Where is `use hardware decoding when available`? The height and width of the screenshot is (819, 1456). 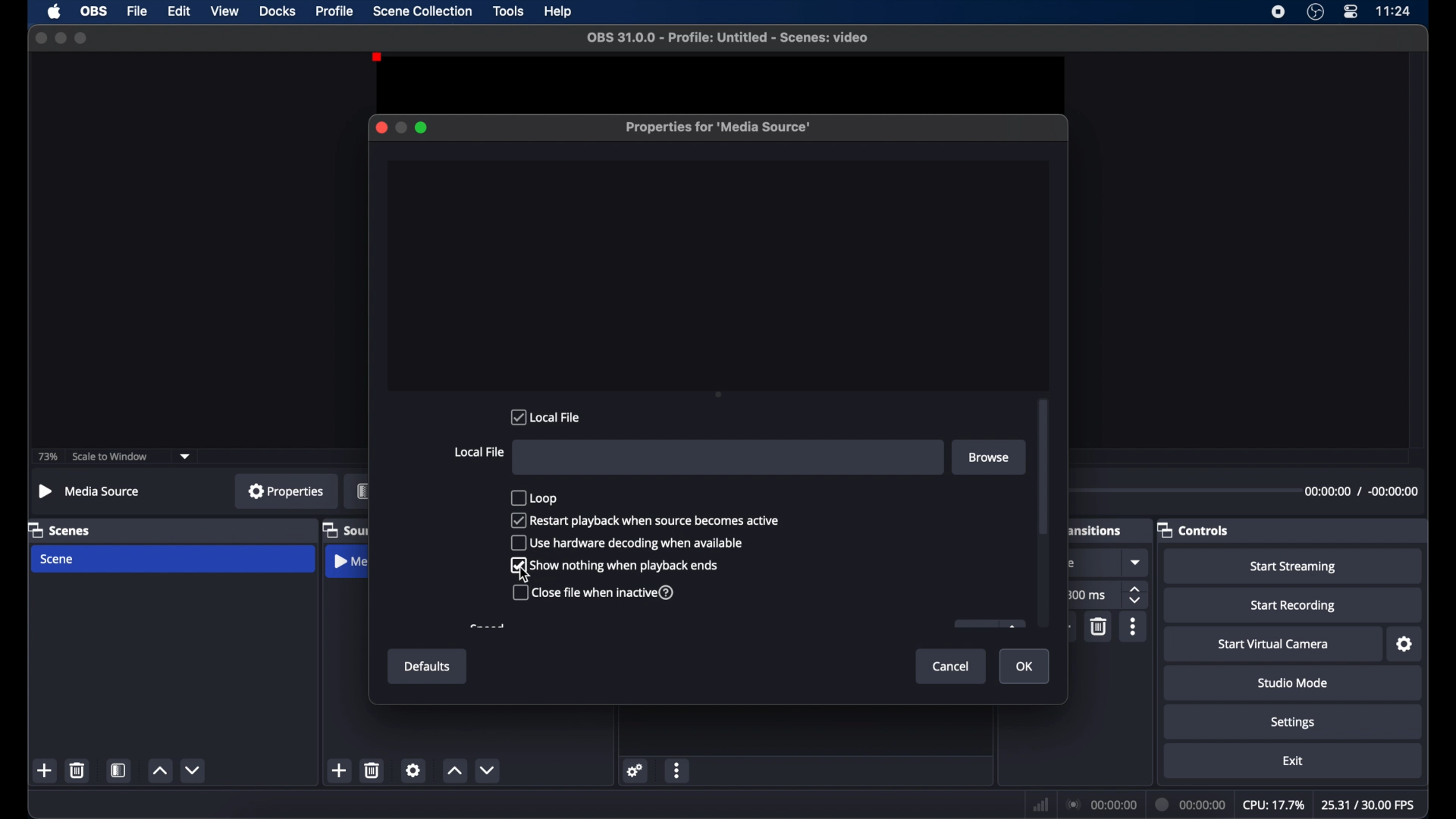
use hardware decoding when available is located at coordinates (626, 543).